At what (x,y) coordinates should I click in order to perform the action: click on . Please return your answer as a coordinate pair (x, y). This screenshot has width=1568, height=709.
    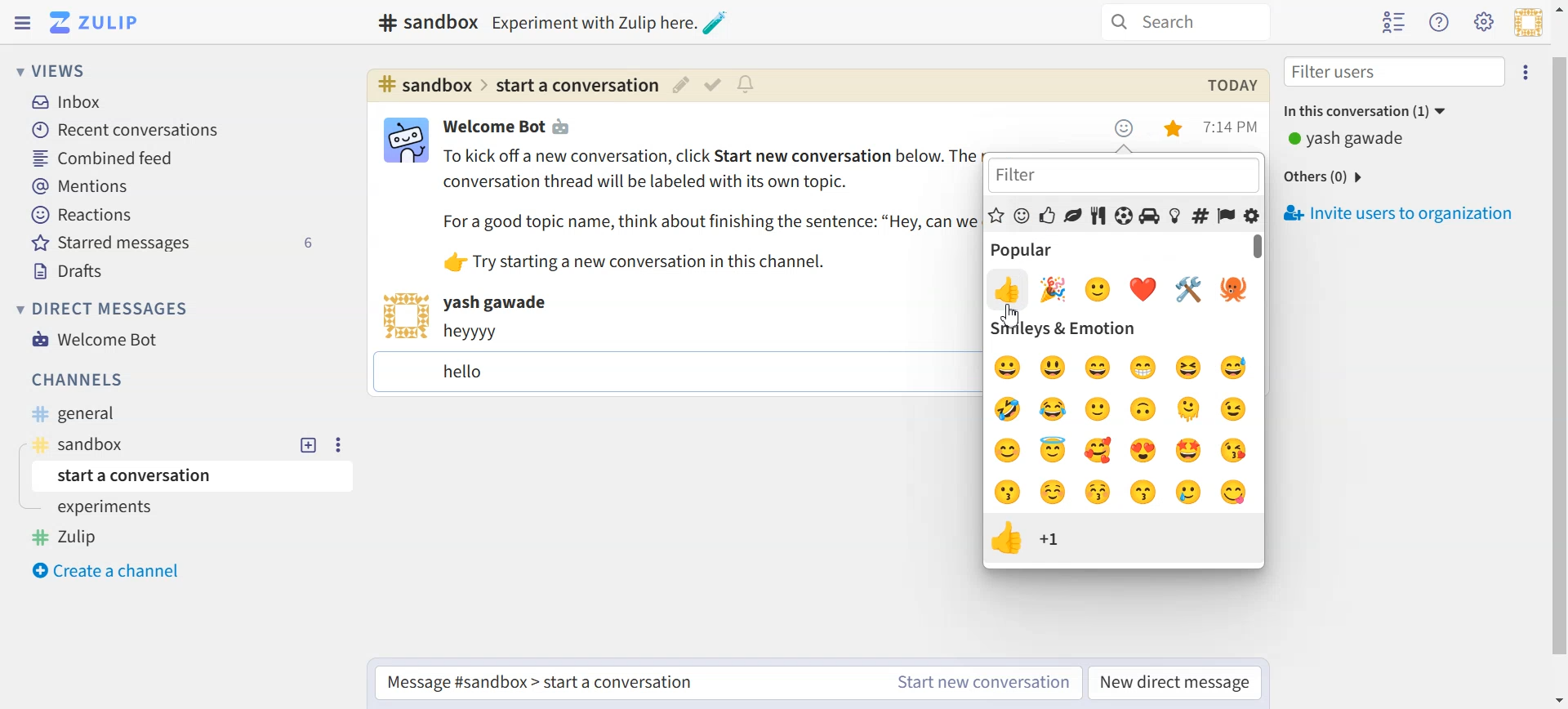
    Looking at the image, I should click on (1015, 317).